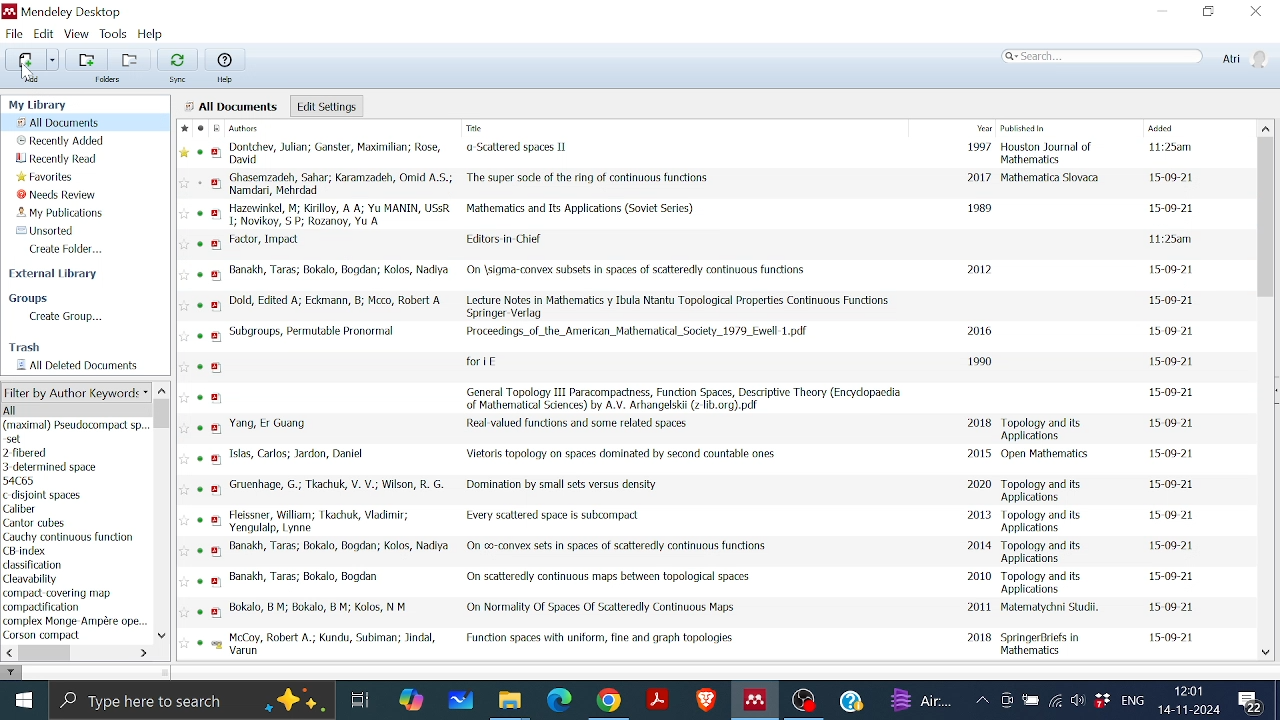  I want to click on Trash, so click(24, 346).